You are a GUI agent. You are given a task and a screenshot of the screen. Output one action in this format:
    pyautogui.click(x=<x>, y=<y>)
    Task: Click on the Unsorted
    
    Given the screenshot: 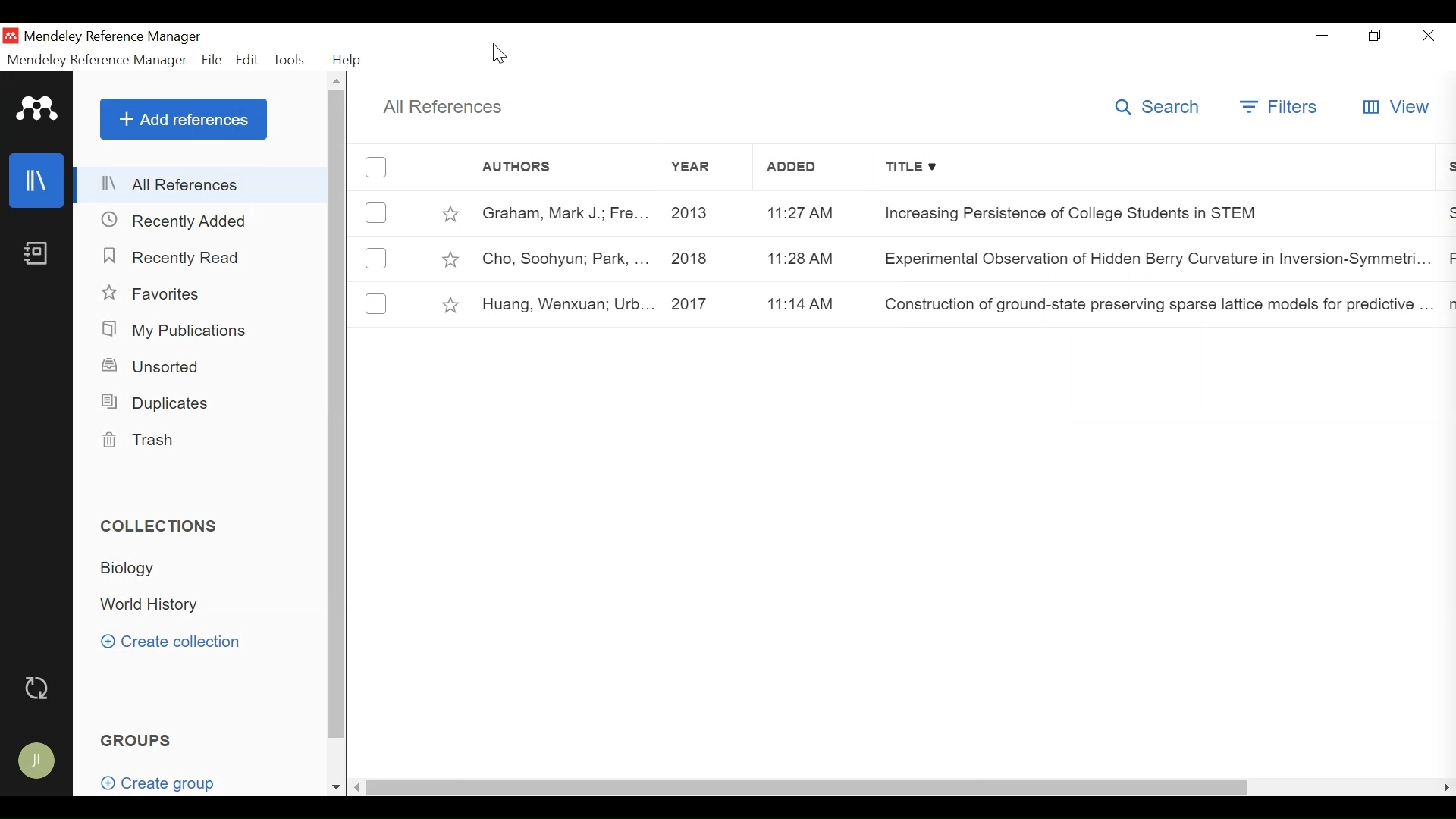 What is the action you would take?
    pyautogui.click(x=158, y=366)
    